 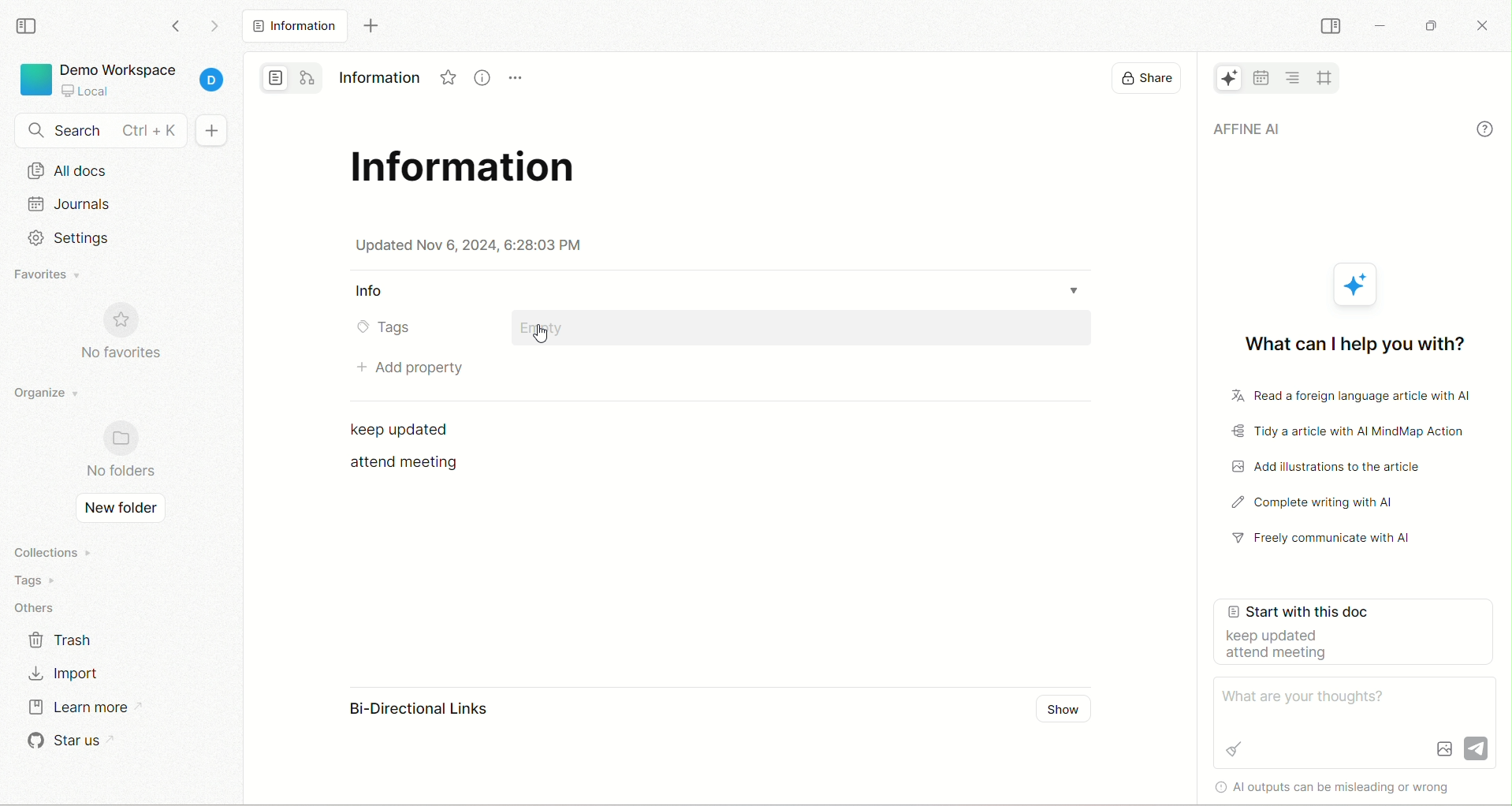 I want to click on import, so click(x=70, y=671).